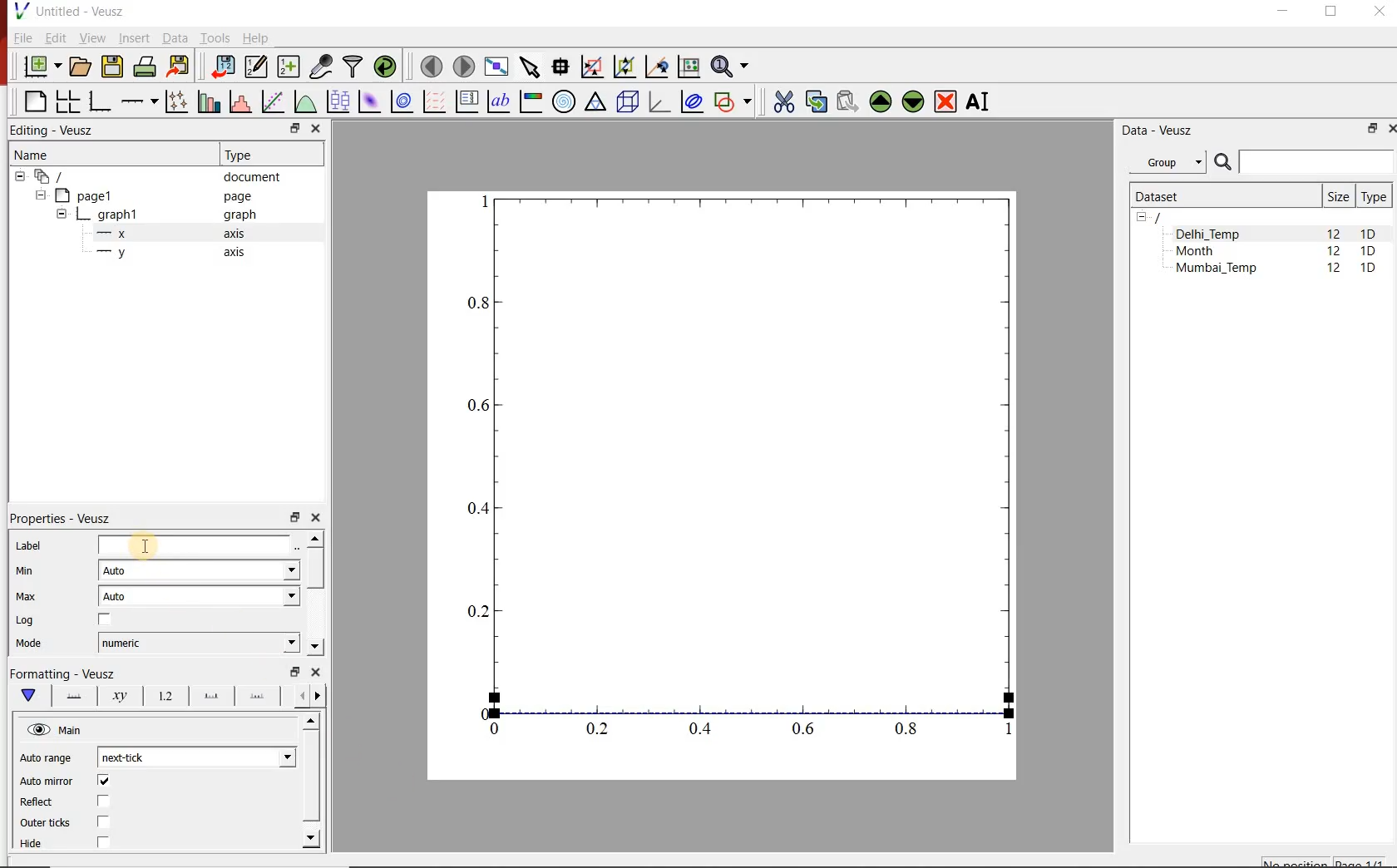  I want to click on Delhi_Temp, so click(1211, 234).